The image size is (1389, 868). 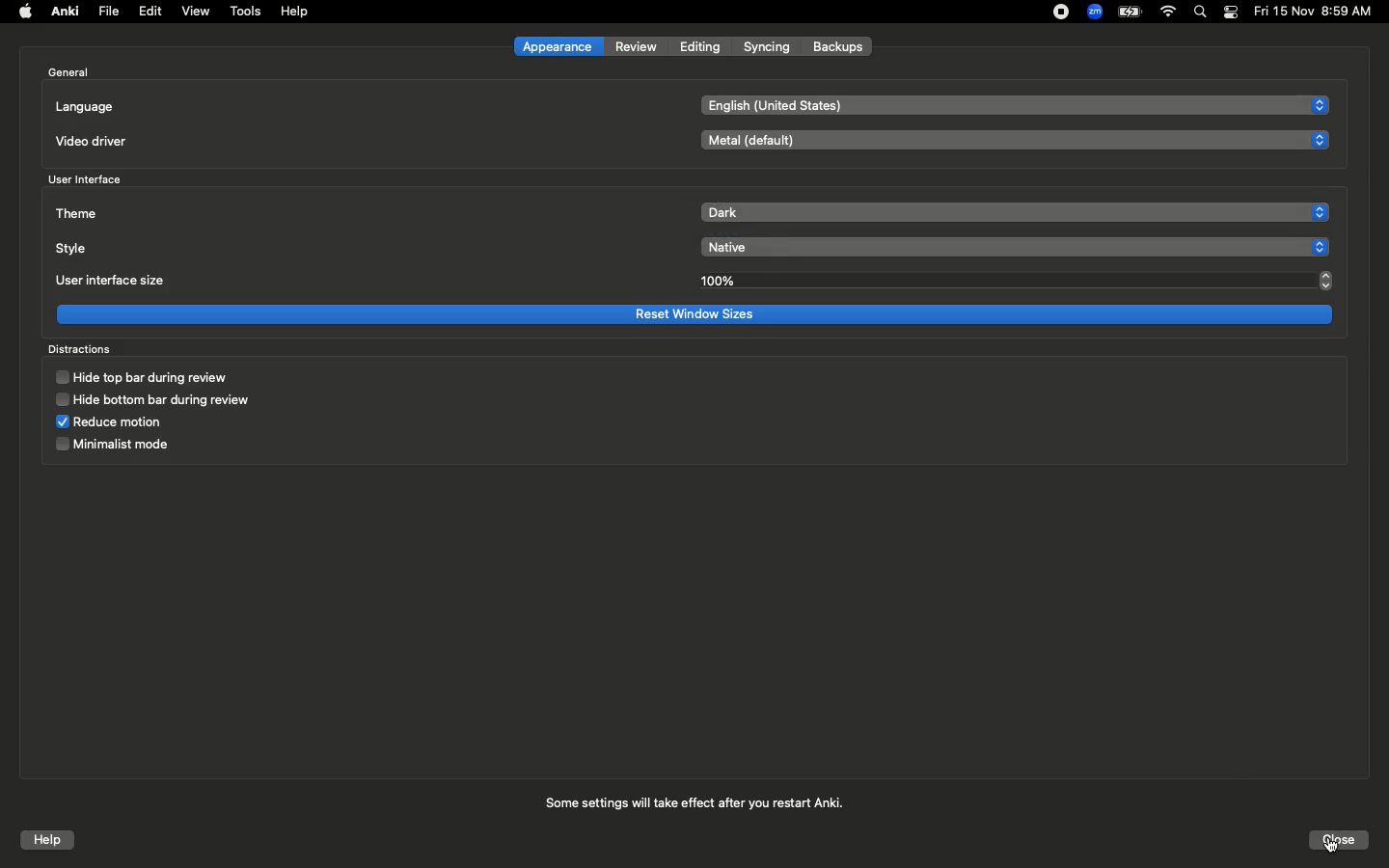 What do you see at coordinates (109, 420) in the screenshot?
I see `Reduce motion` at bounding box center [109, 420].